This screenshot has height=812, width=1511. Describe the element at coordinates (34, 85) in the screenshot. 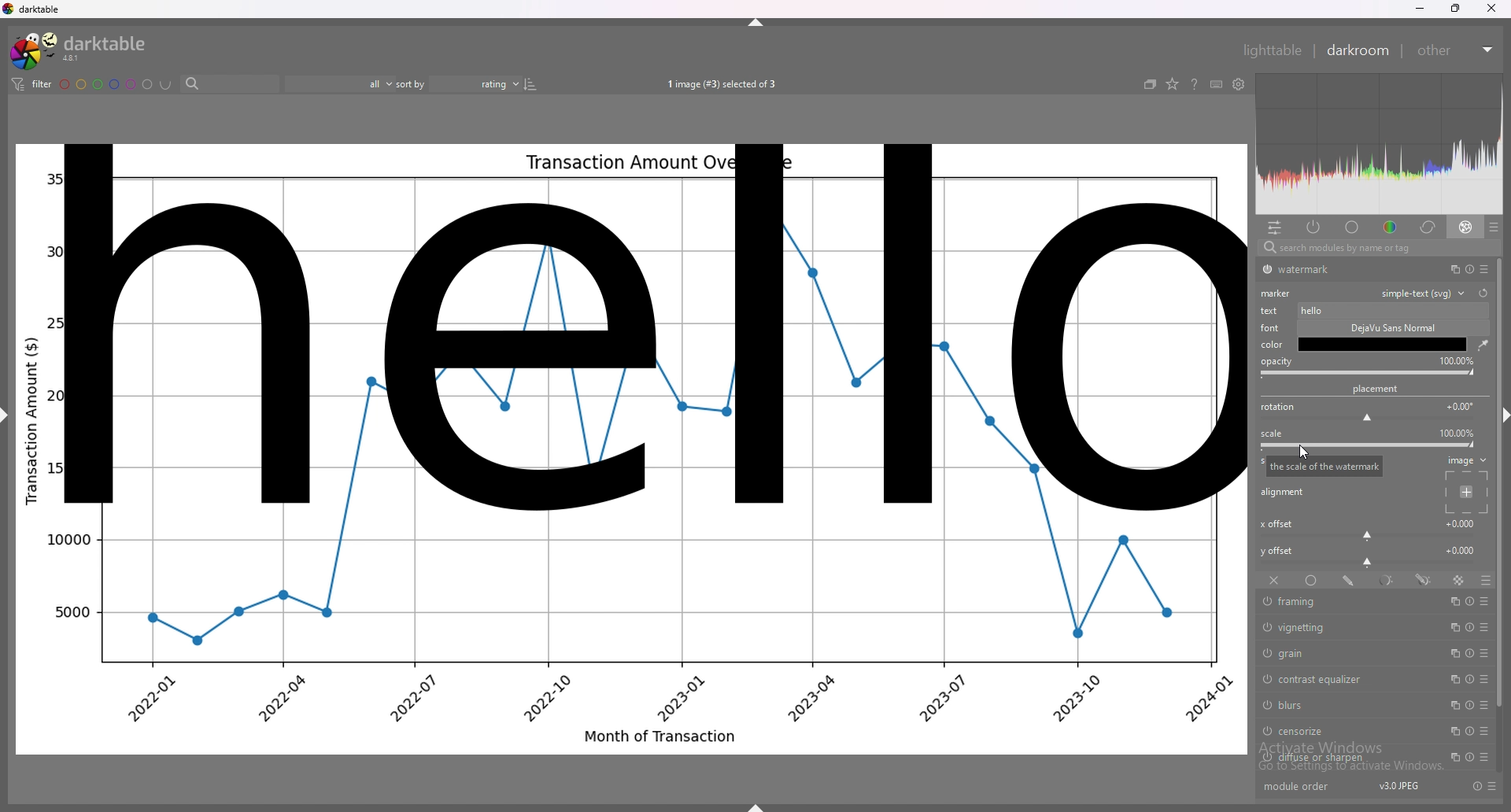

I see `filter` at that location.